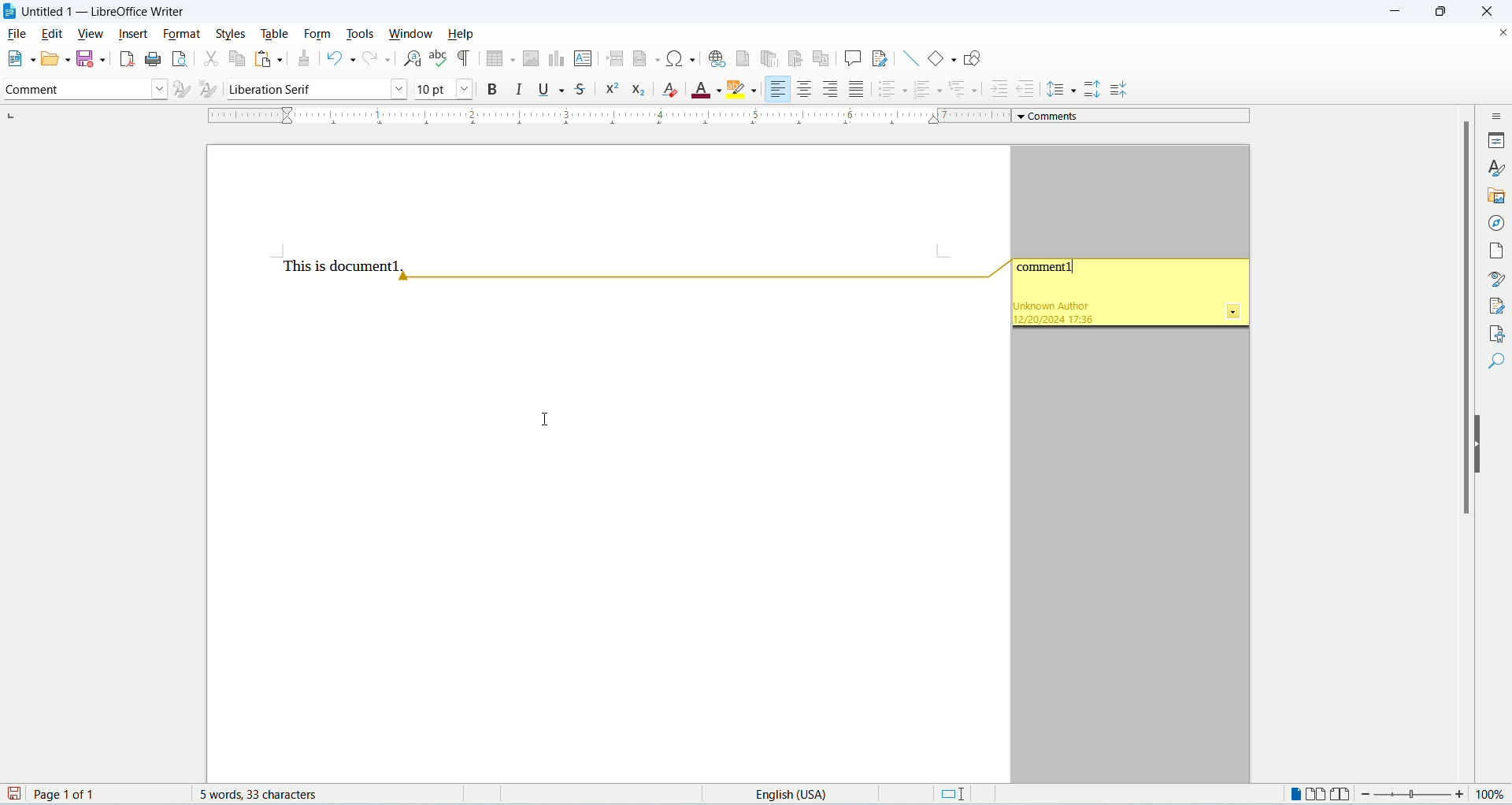 The height and width of the screenshot is (805, 1512). Describe the element at coordinates (1492, 11) in the screenshot. I see `close` at that location.